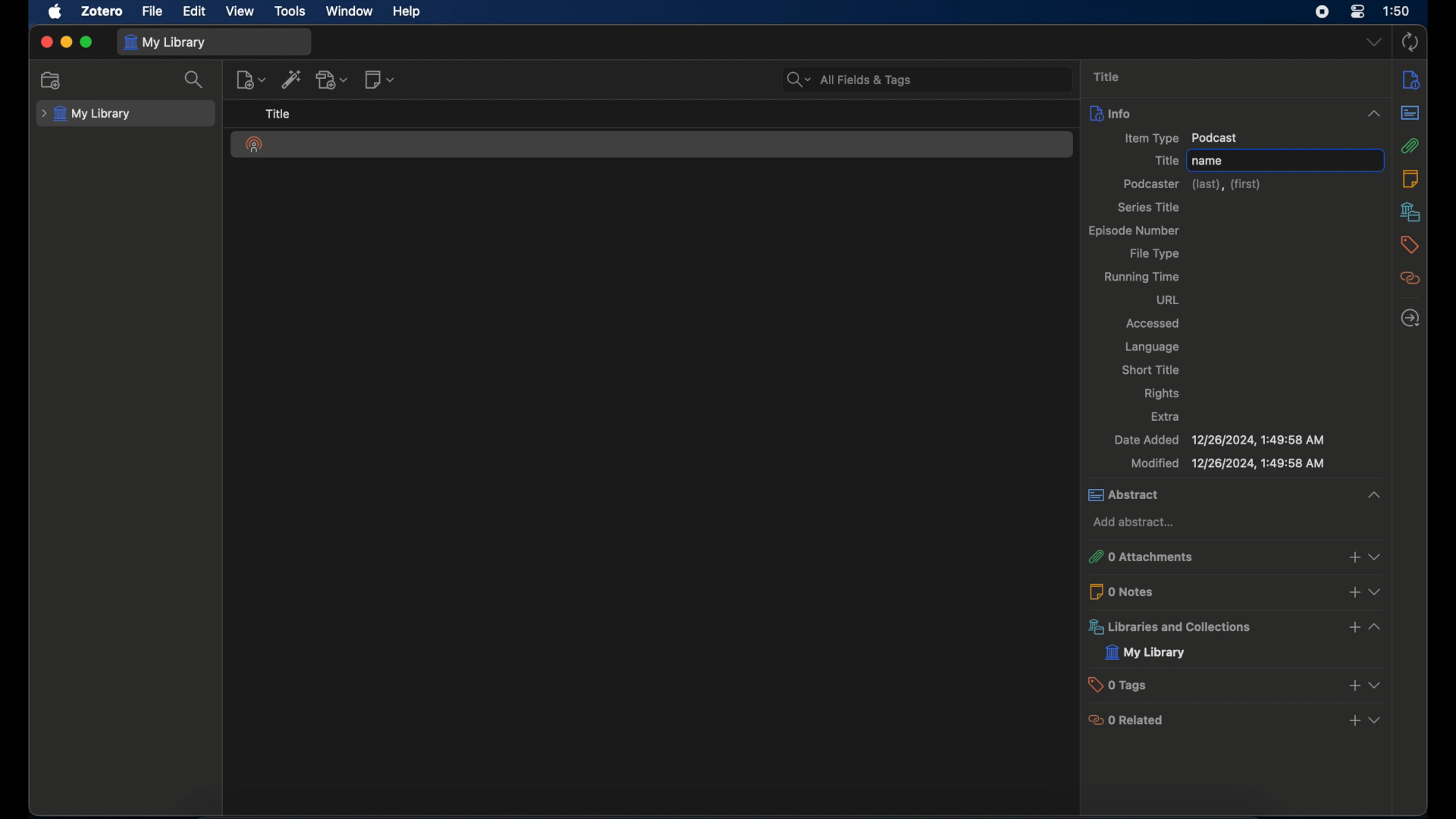  I want to click on notes, so click(1414, 178).